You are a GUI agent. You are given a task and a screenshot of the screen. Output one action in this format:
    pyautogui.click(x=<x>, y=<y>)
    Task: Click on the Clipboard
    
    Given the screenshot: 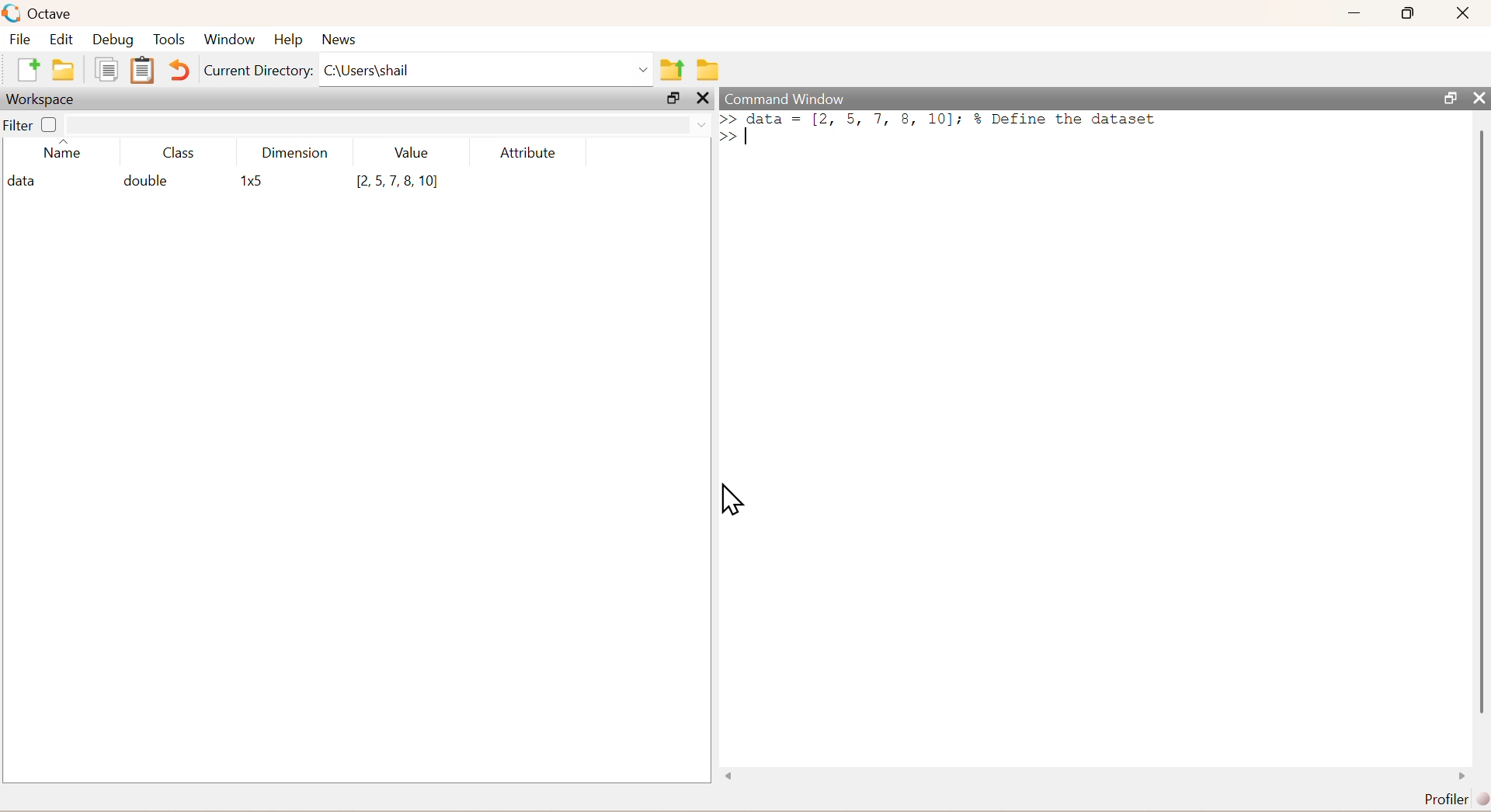 What is the action you would take?
    pyautogui.click(x=143, y=70)
    